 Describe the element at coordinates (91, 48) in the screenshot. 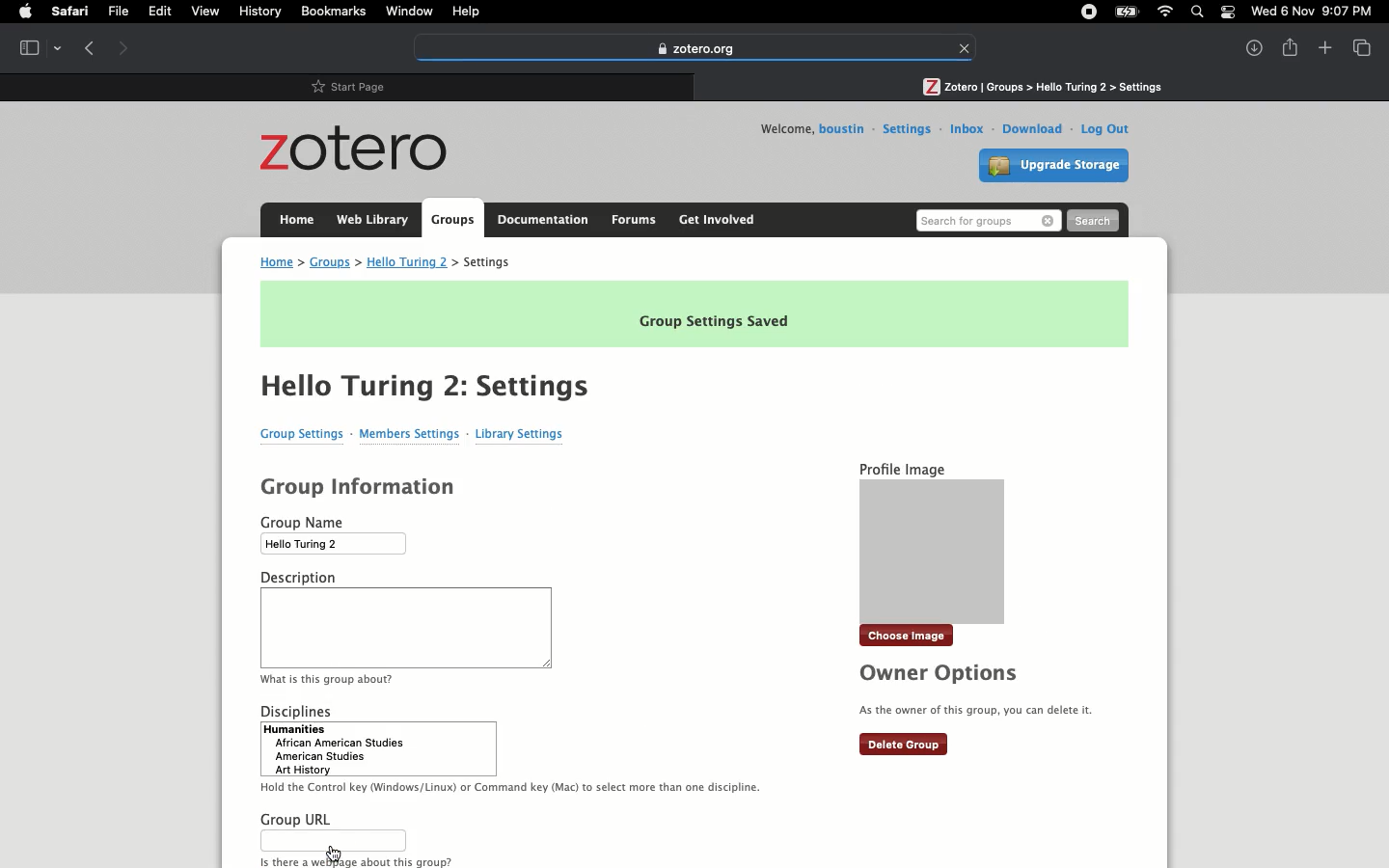

I see `Previous` at that location.